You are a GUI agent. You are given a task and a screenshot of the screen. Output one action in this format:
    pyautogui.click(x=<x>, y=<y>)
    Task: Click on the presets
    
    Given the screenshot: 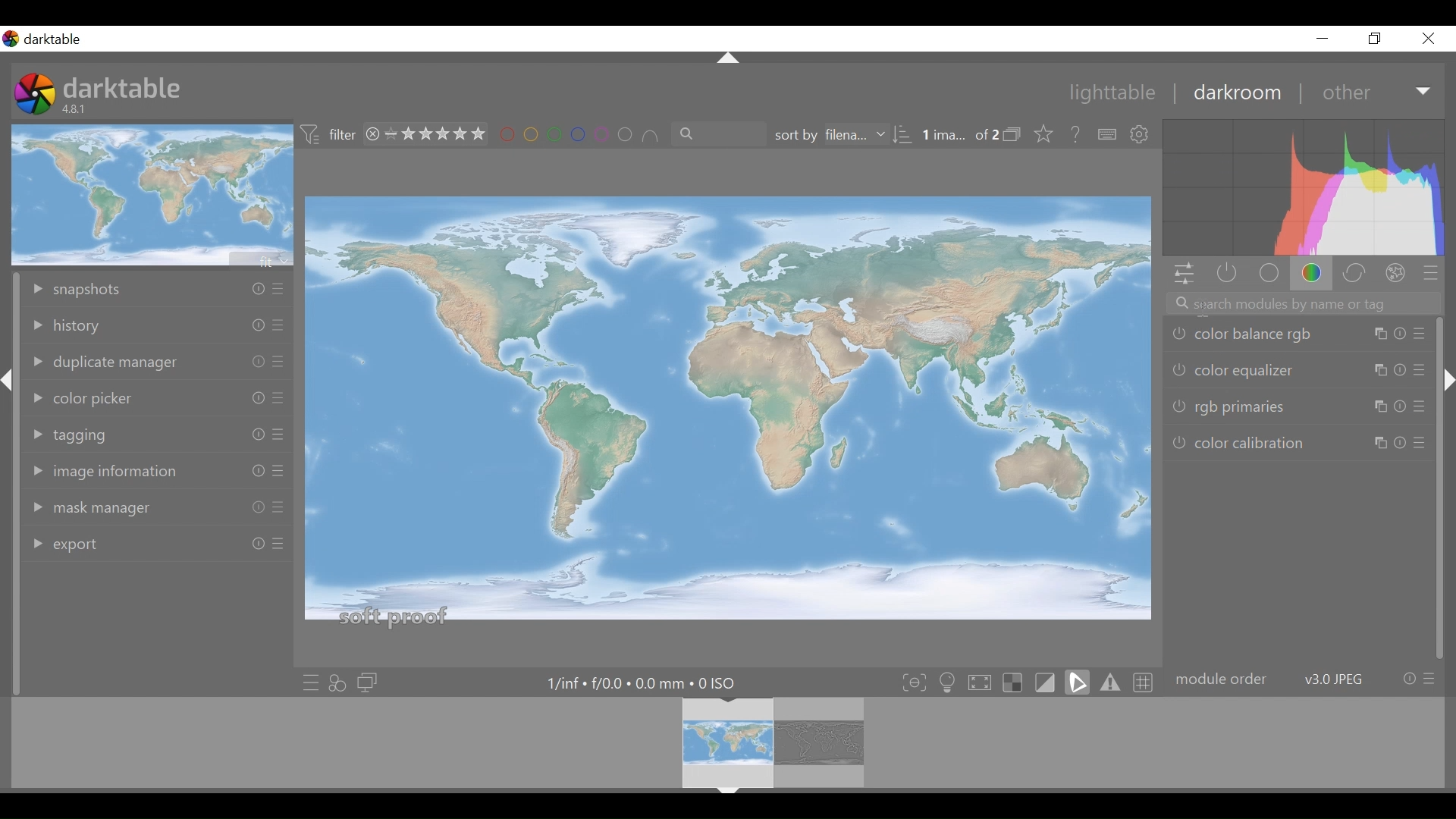 What is the action you would take?
    pyautogui.click(x=1431, y=271)
    